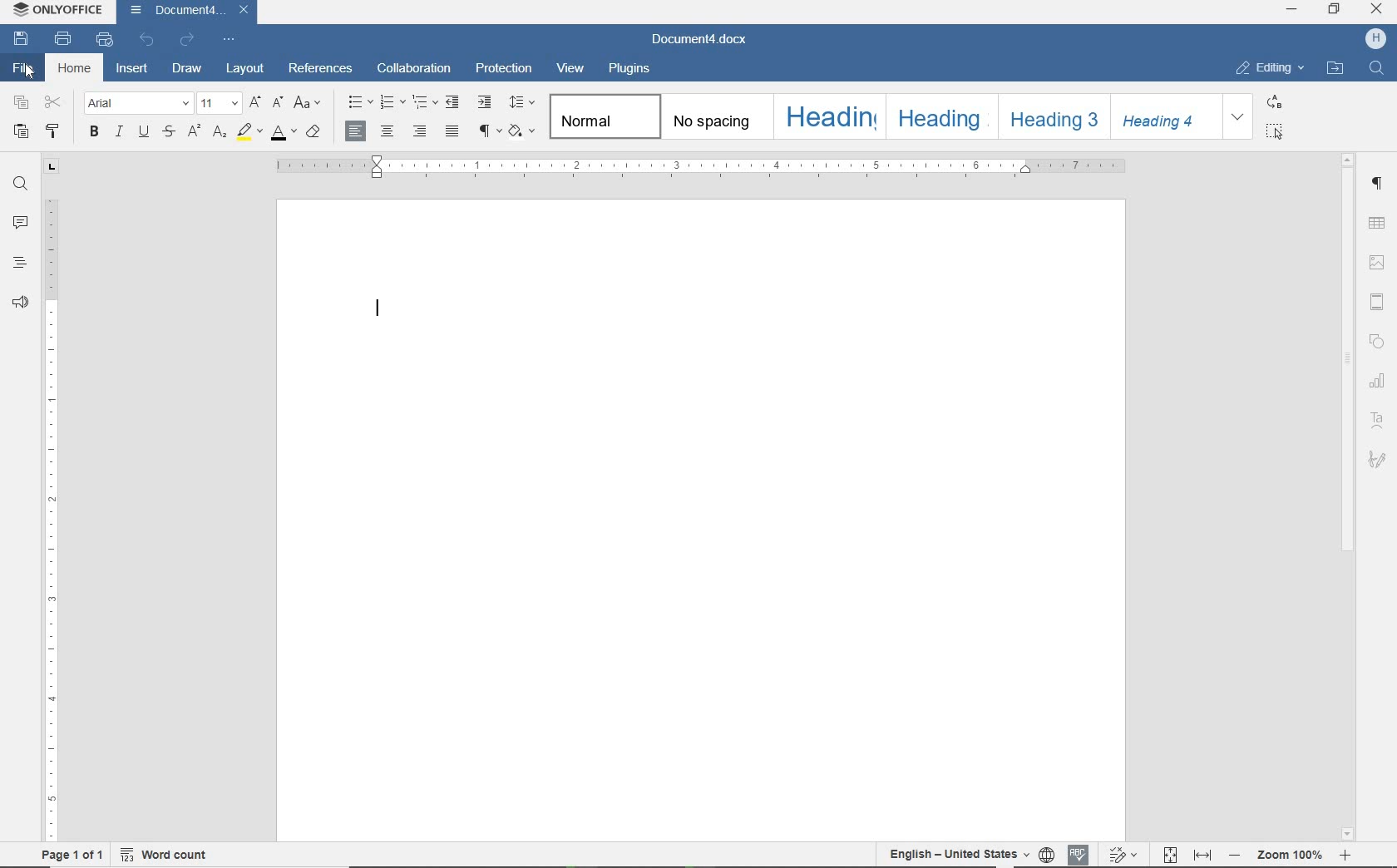 Image resolution: width=1397 pixels, height=868 pixels. I want to click on decrement font size, so click(279, 104).